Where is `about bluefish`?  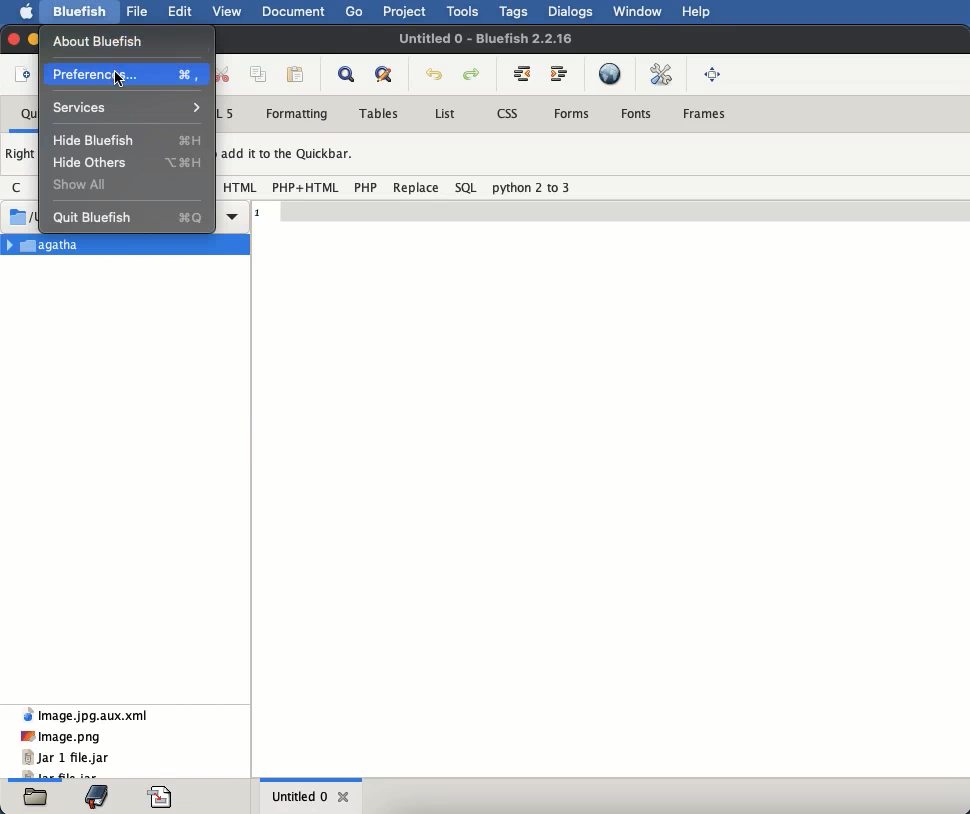 about bluefish is located at coordinates (99, 42).